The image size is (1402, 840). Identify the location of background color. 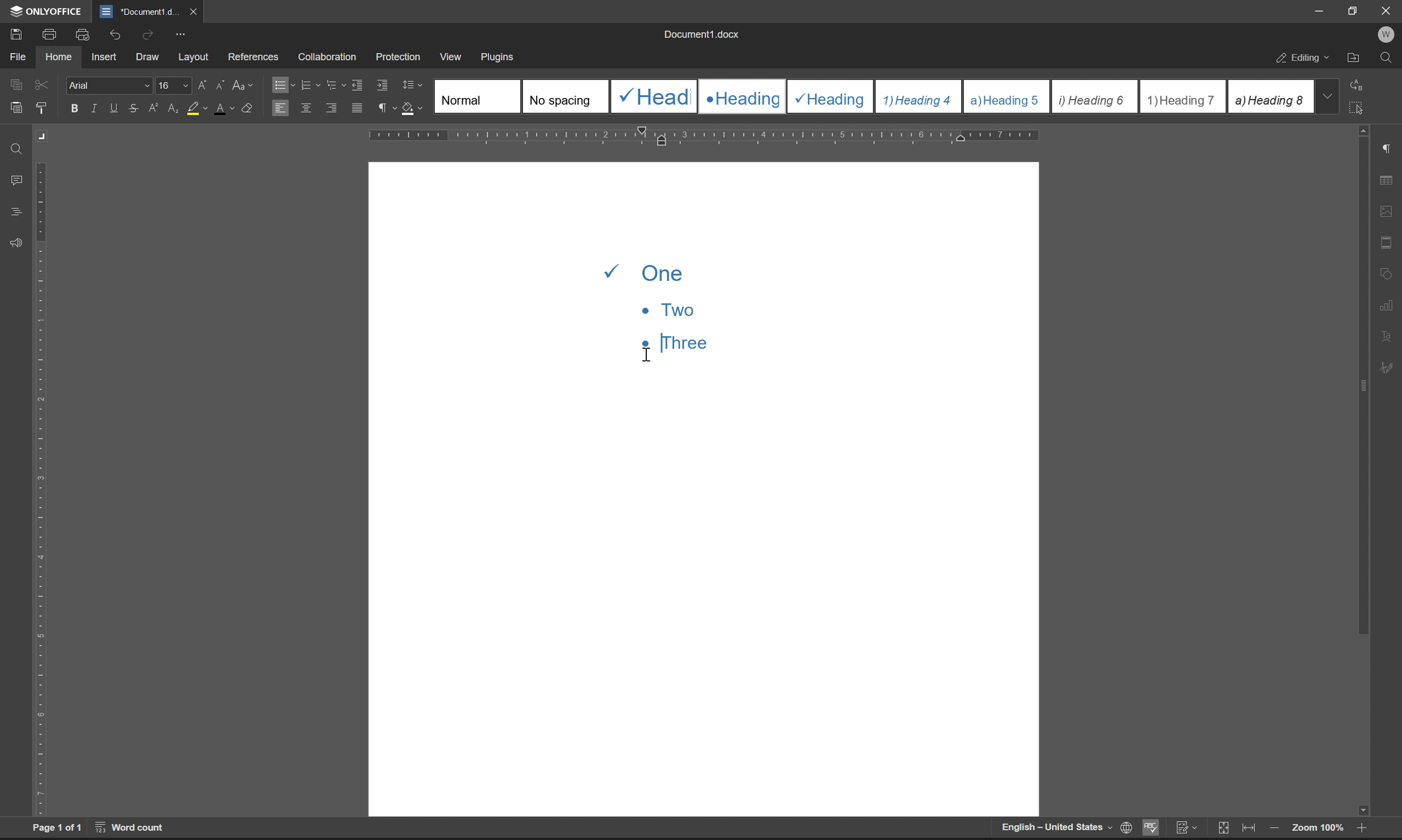
(196, 109).